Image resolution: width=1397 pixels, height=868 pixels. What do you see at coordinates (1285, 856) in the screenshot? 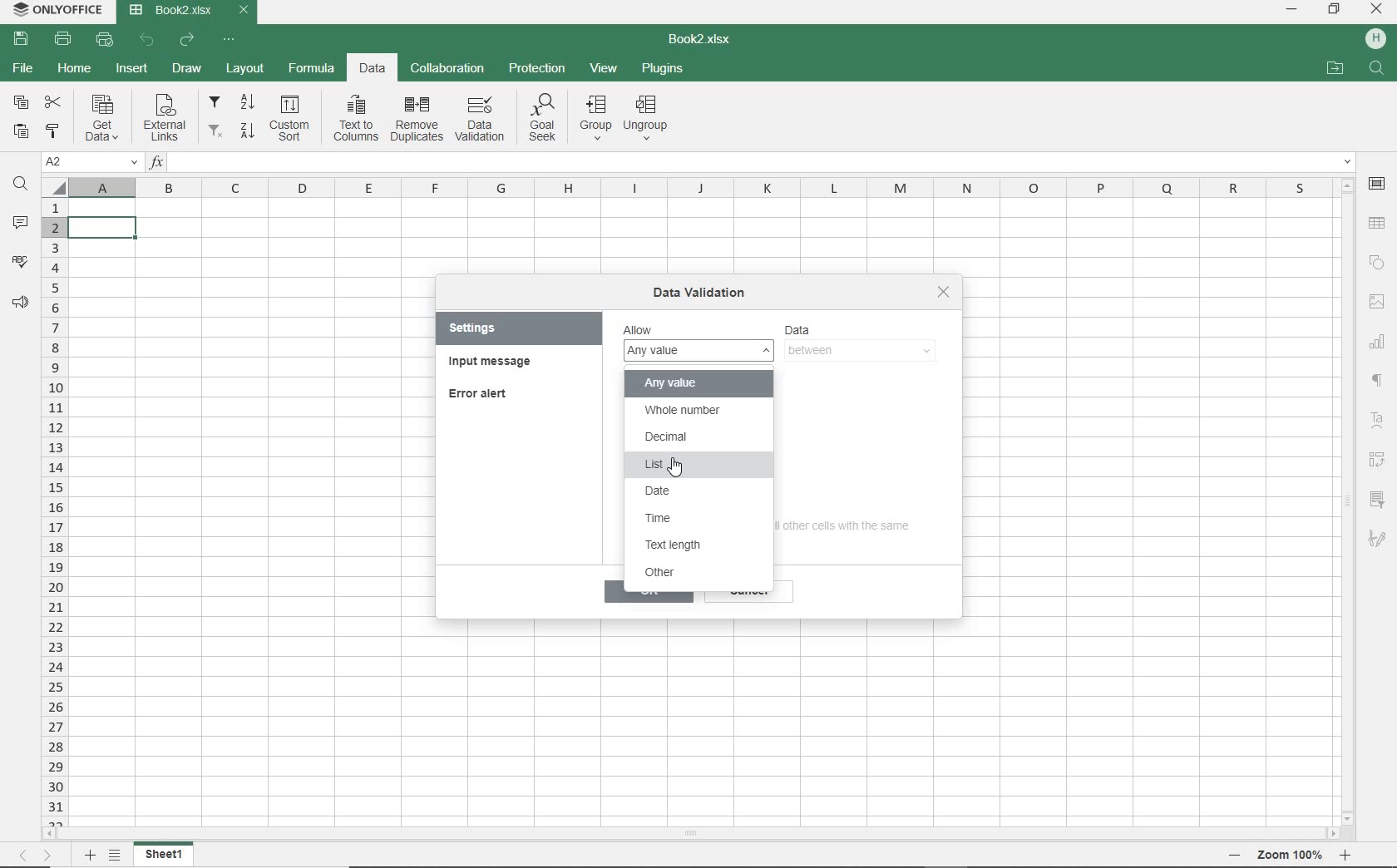
I see `ZOOM OUT OR ZOOM IN` at bounding box center [1285, 856].